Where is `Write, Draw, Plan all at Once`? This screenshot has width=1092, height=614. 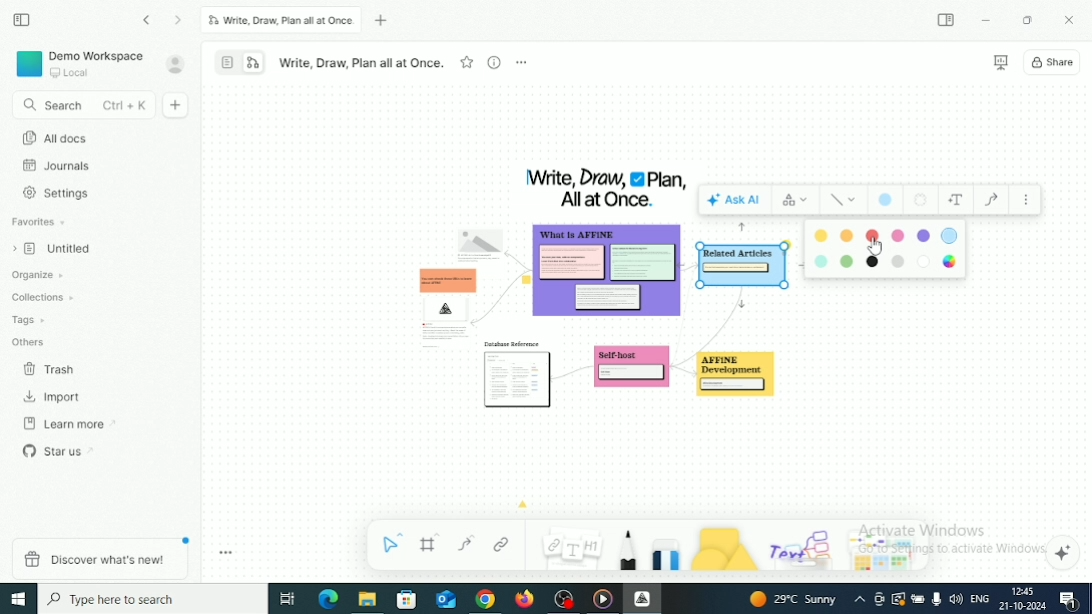 Write, Draw, Plan all at Once is located at coordinates (281, 20).